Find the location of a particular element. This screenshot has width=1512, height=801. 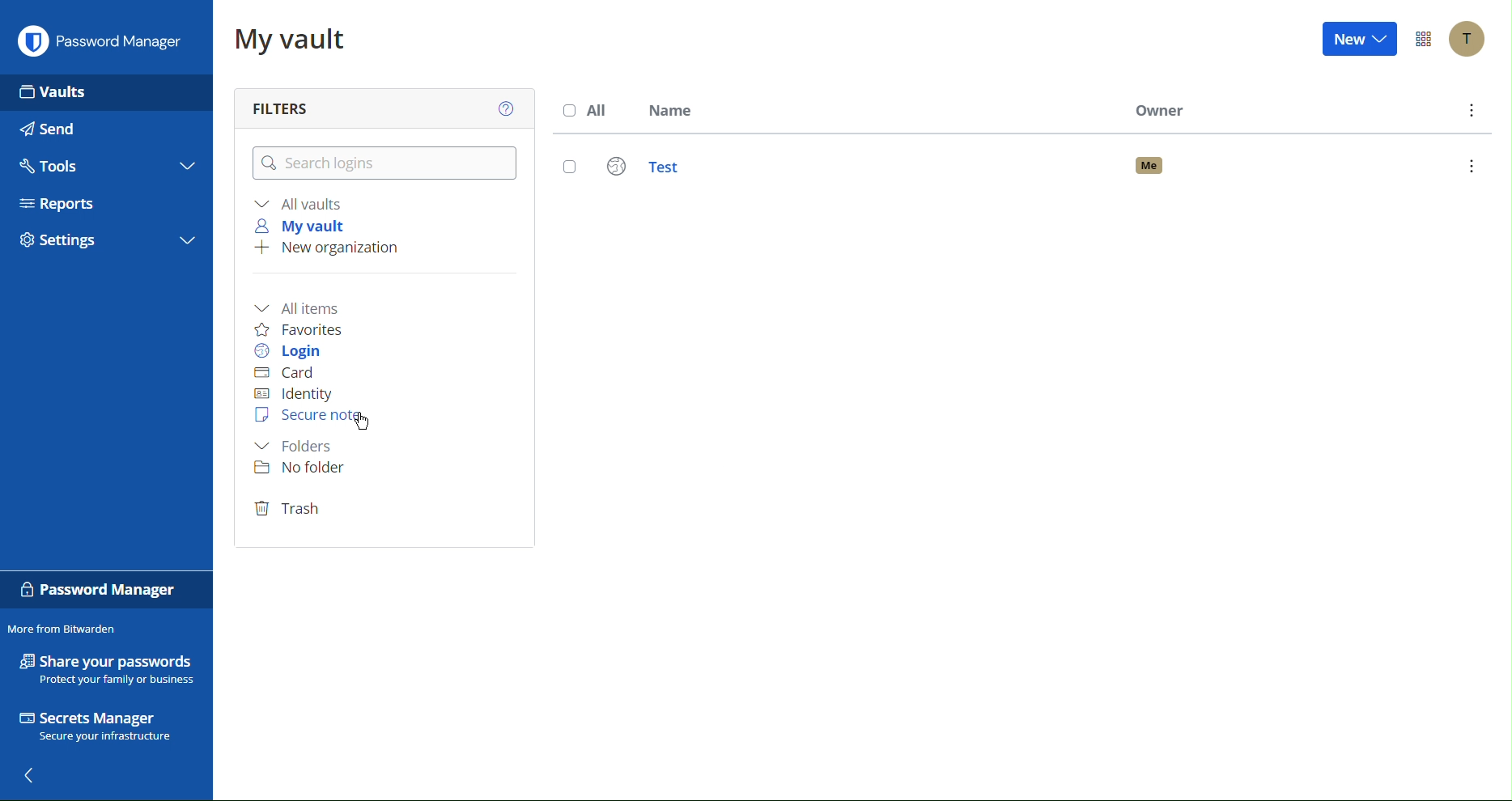

More is located at coordinates (1472, 109).